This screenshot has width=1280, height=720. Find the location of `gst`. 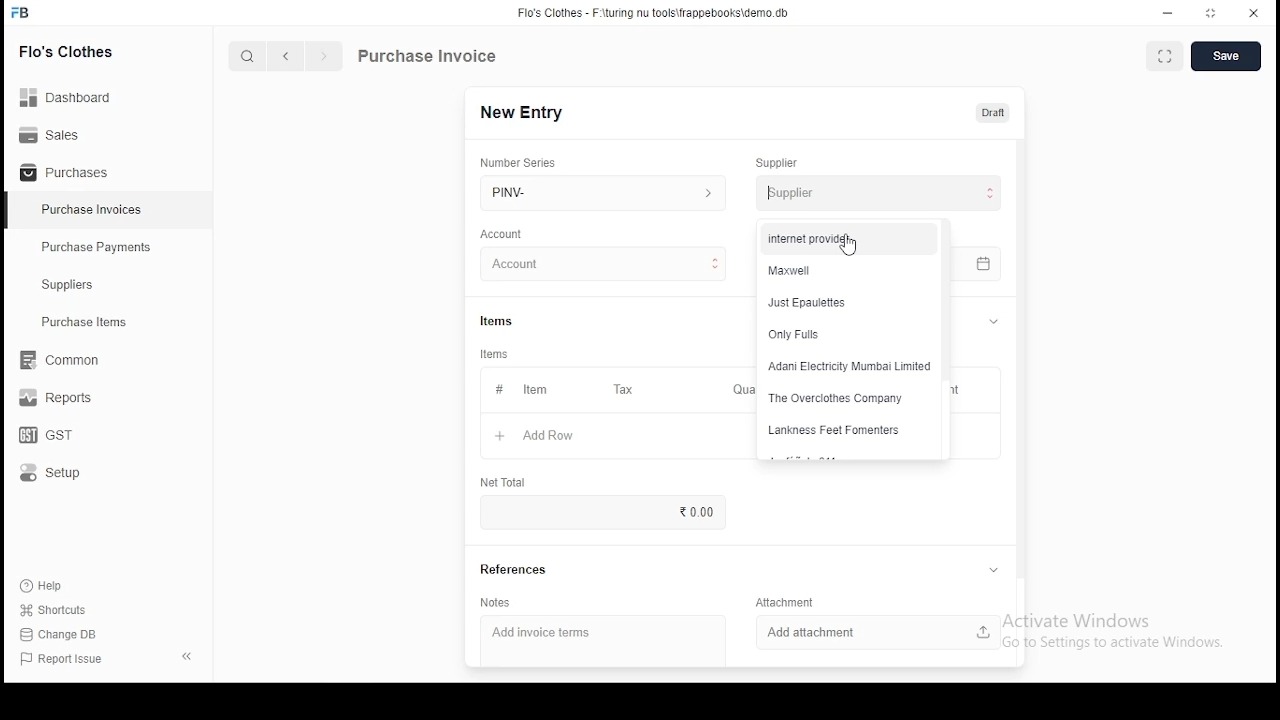

gst is located at coordinates (46, 437).